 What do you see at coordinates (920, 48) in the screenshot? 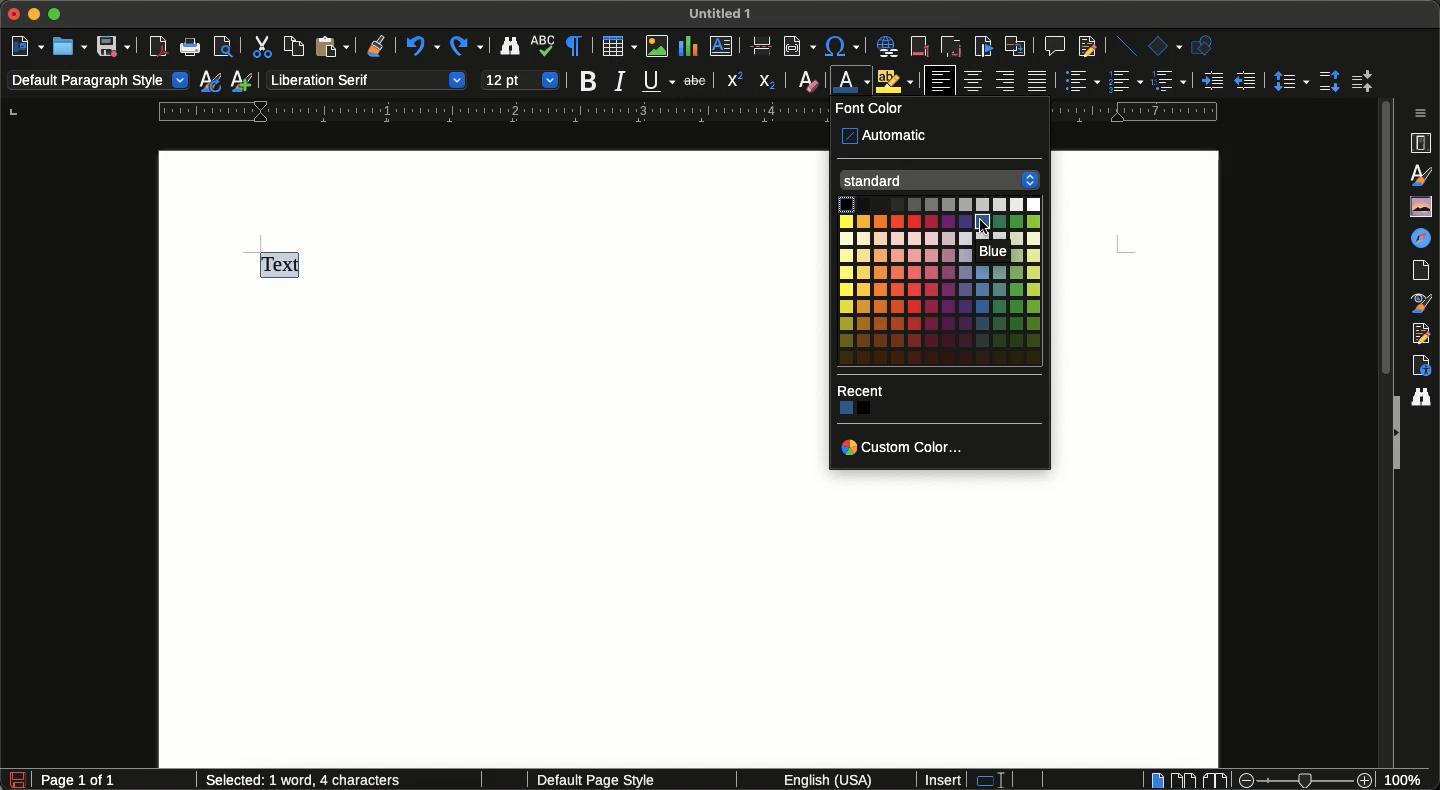
I see `Insert footnote` at bounding box center [920, 48].